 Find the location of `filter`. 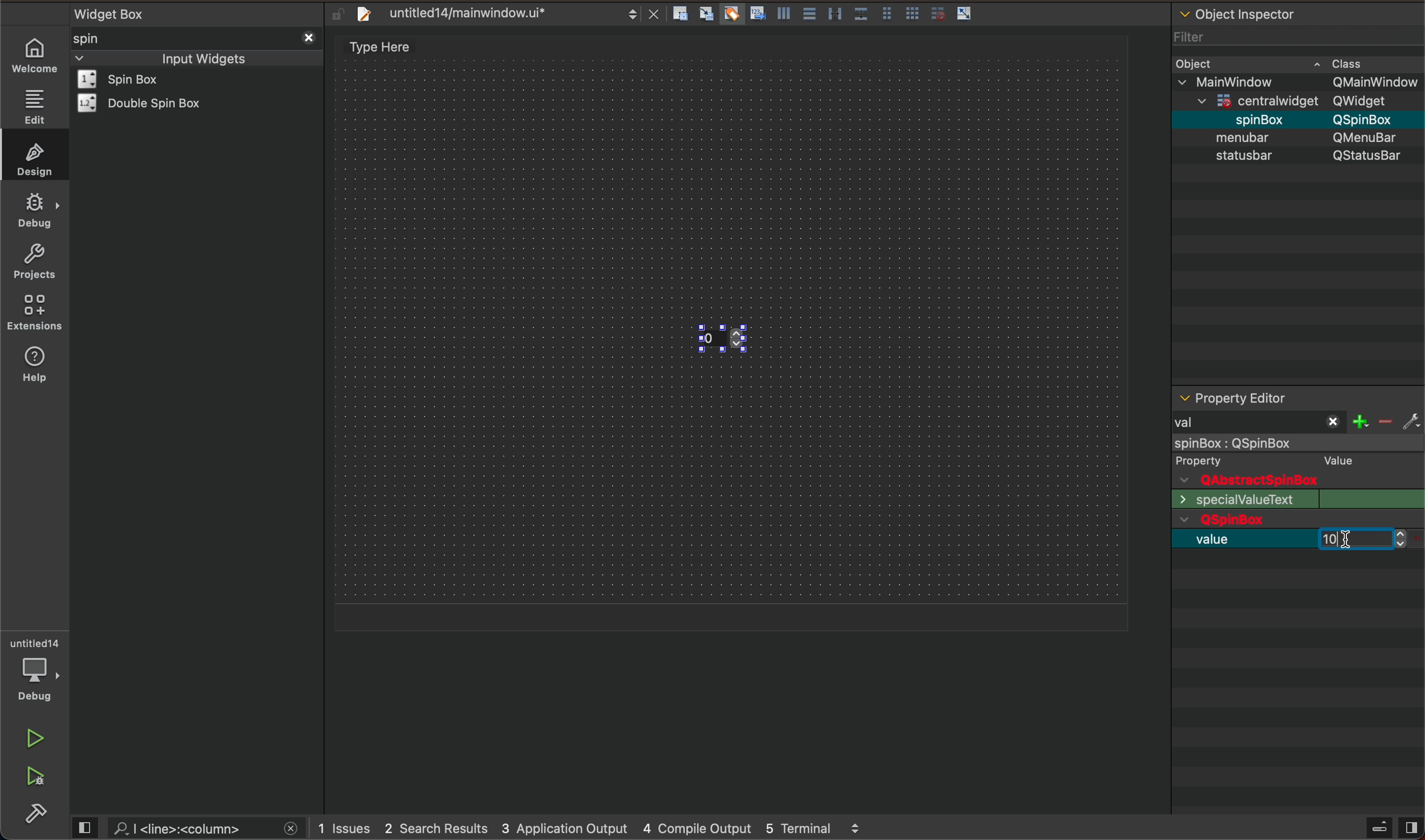

filter is located at coordinates (1192, 33).